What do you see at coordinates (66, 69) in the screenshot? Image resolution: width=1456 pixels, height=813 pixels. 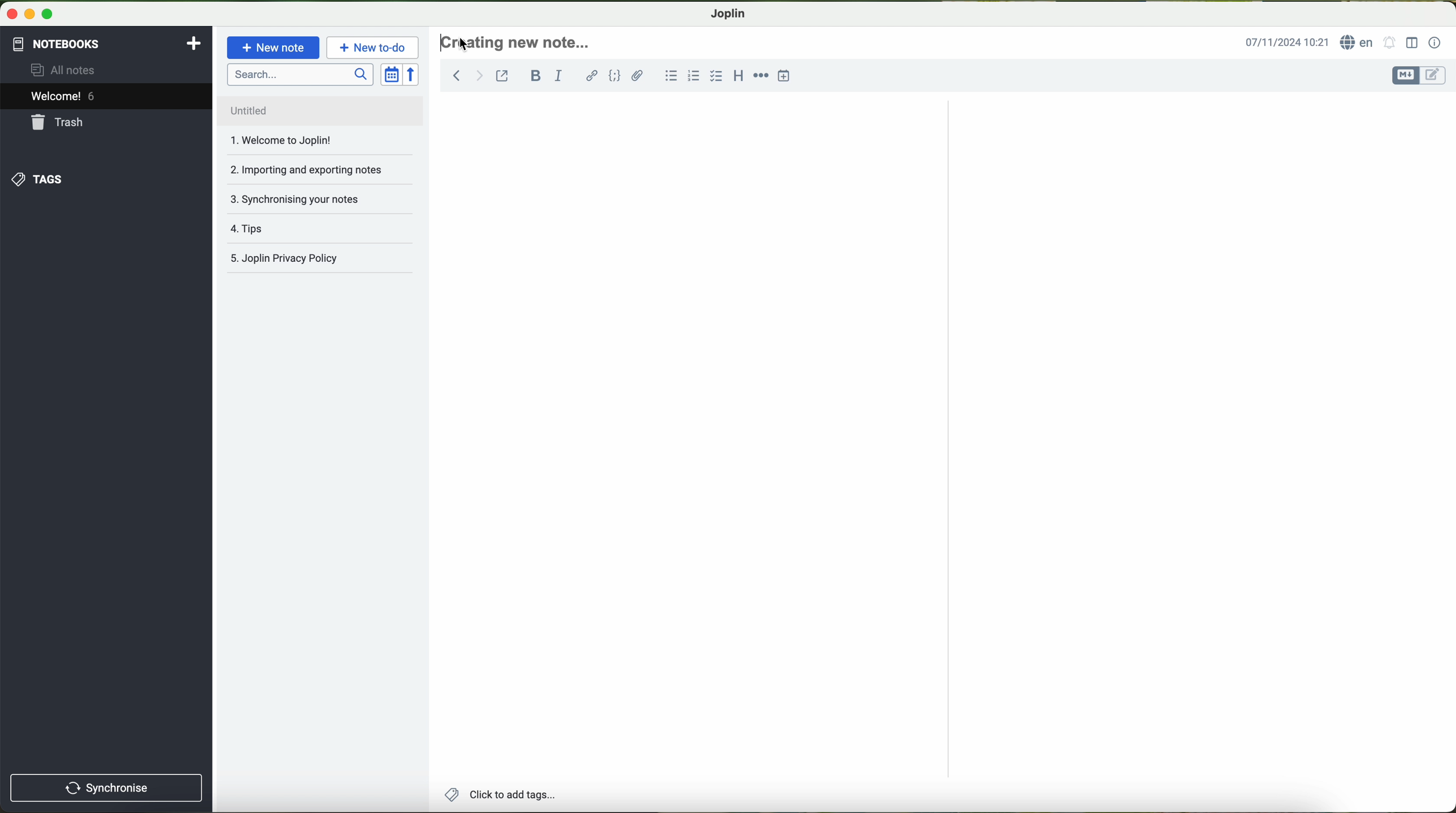 I see `all notes` at bounding box center [66, 69].